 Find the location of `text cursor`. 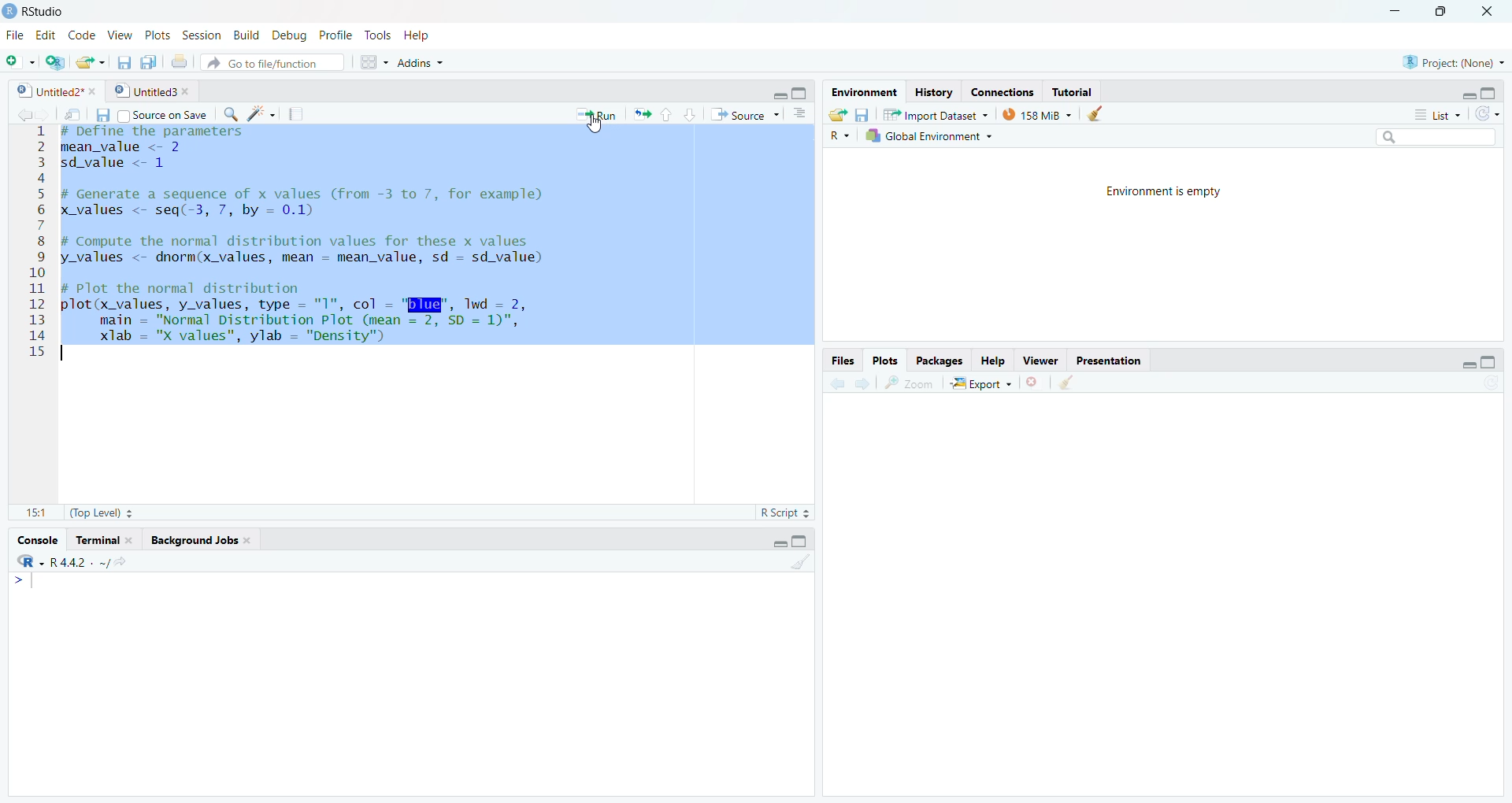

text cursor is located at coordinates (596, 127).